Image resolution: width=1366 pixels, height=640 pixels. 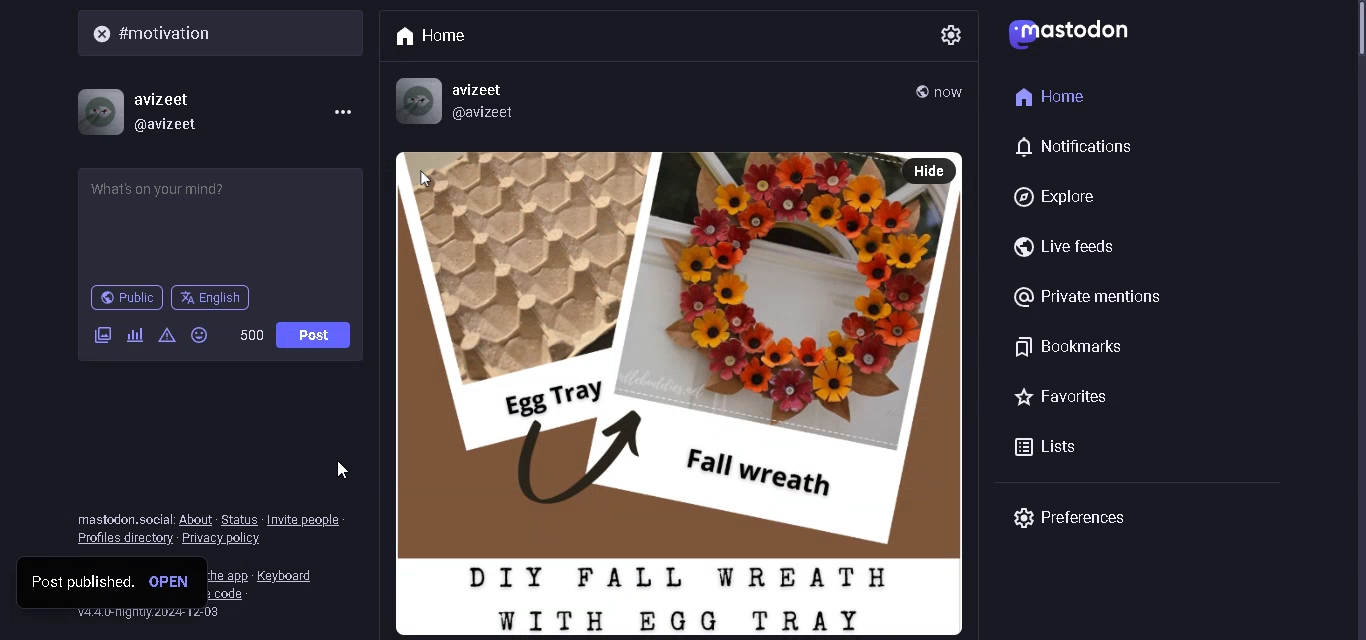 What do you see at coordinates (1076, 148) in the screenshot?
I see `notifications` at bounding box center [1076, 148].